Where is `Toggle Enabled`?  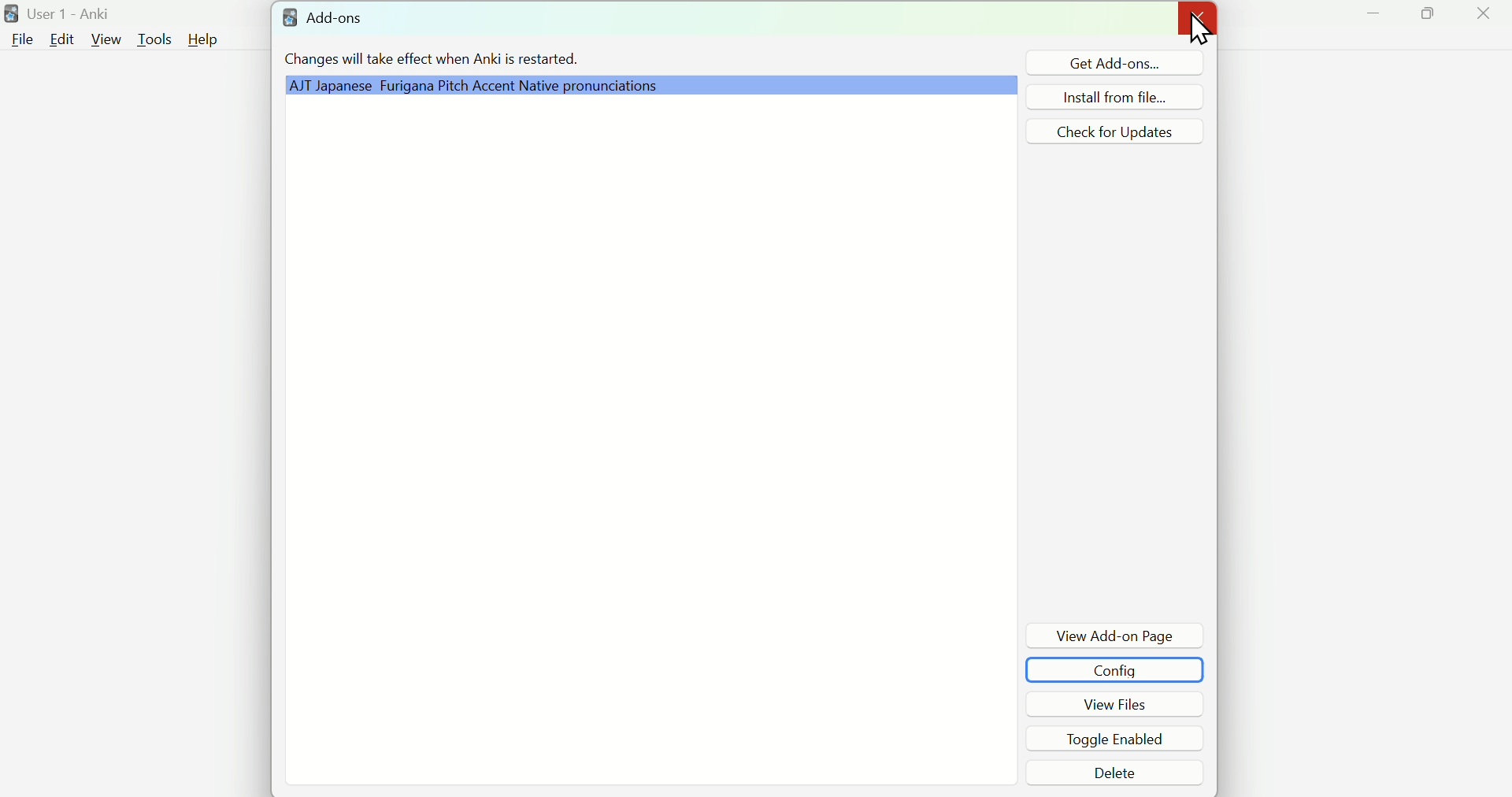
Toggle Enabled is located at coordinates (1110, 740).